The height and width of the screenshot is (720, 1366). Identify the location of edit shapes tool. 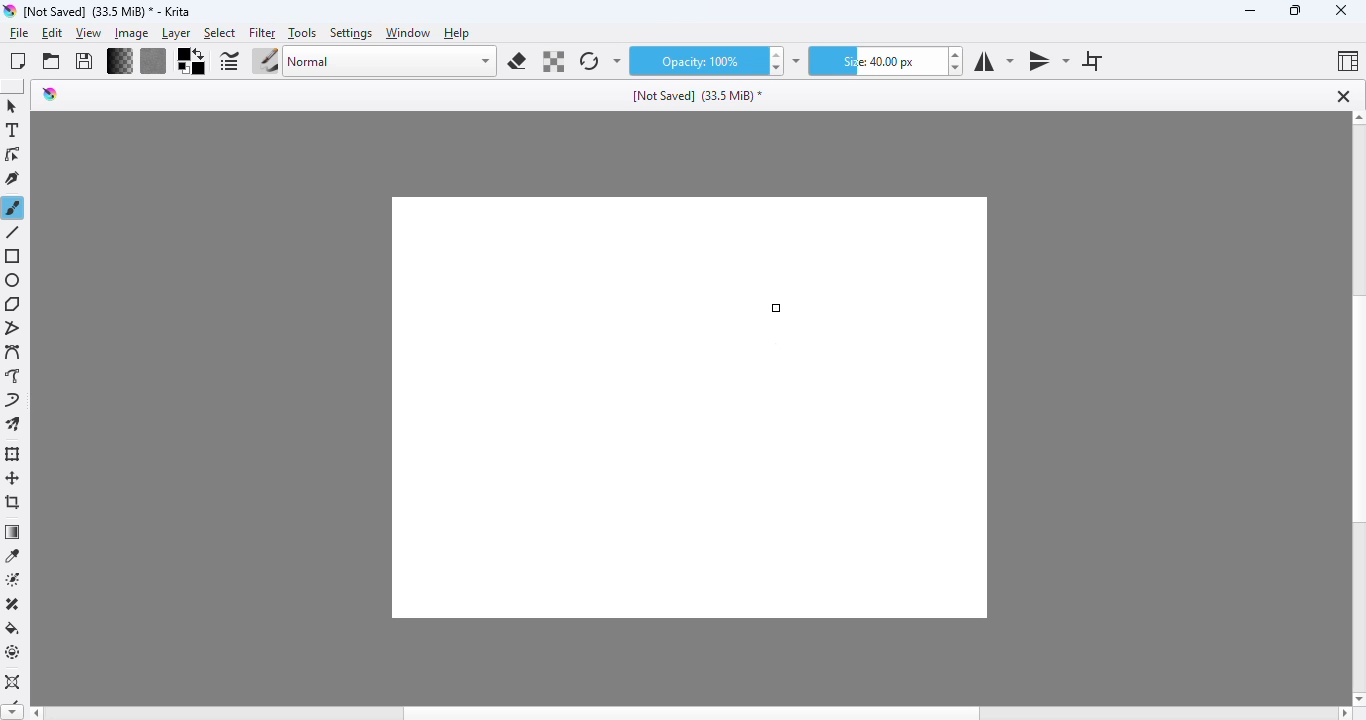
(14, 155).